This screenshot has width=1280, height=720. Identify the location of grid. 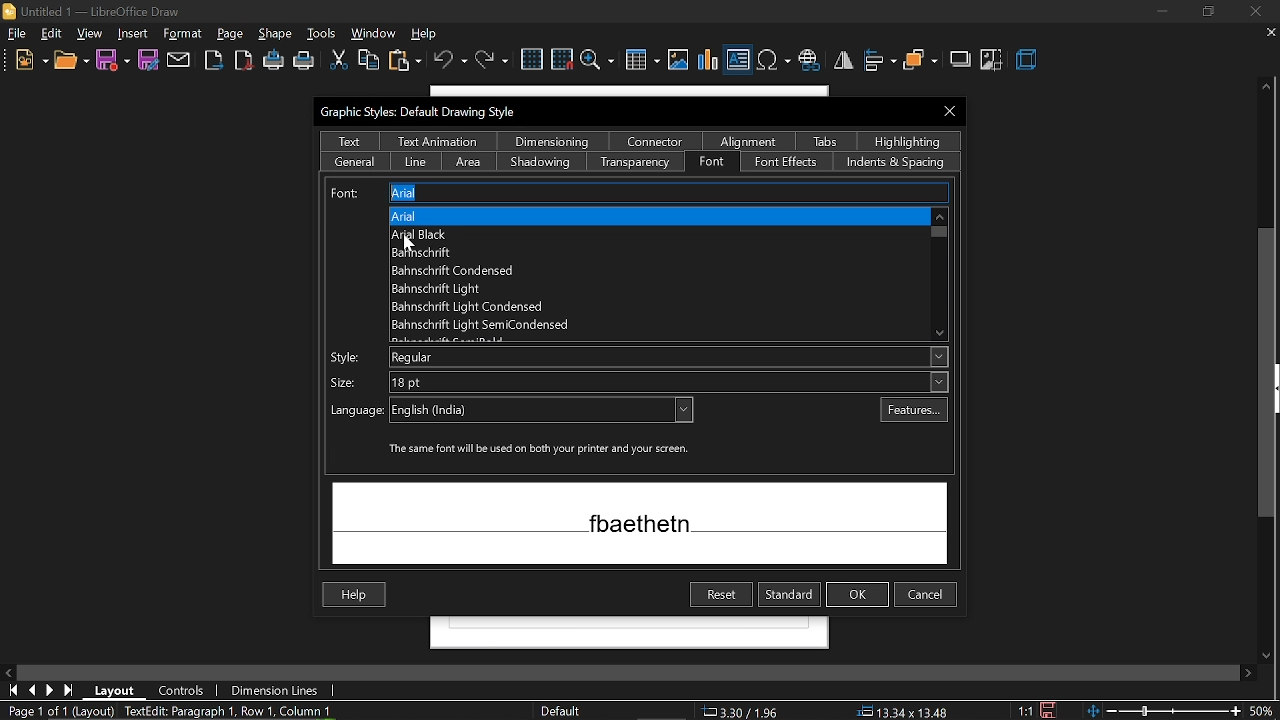
(531, 60).